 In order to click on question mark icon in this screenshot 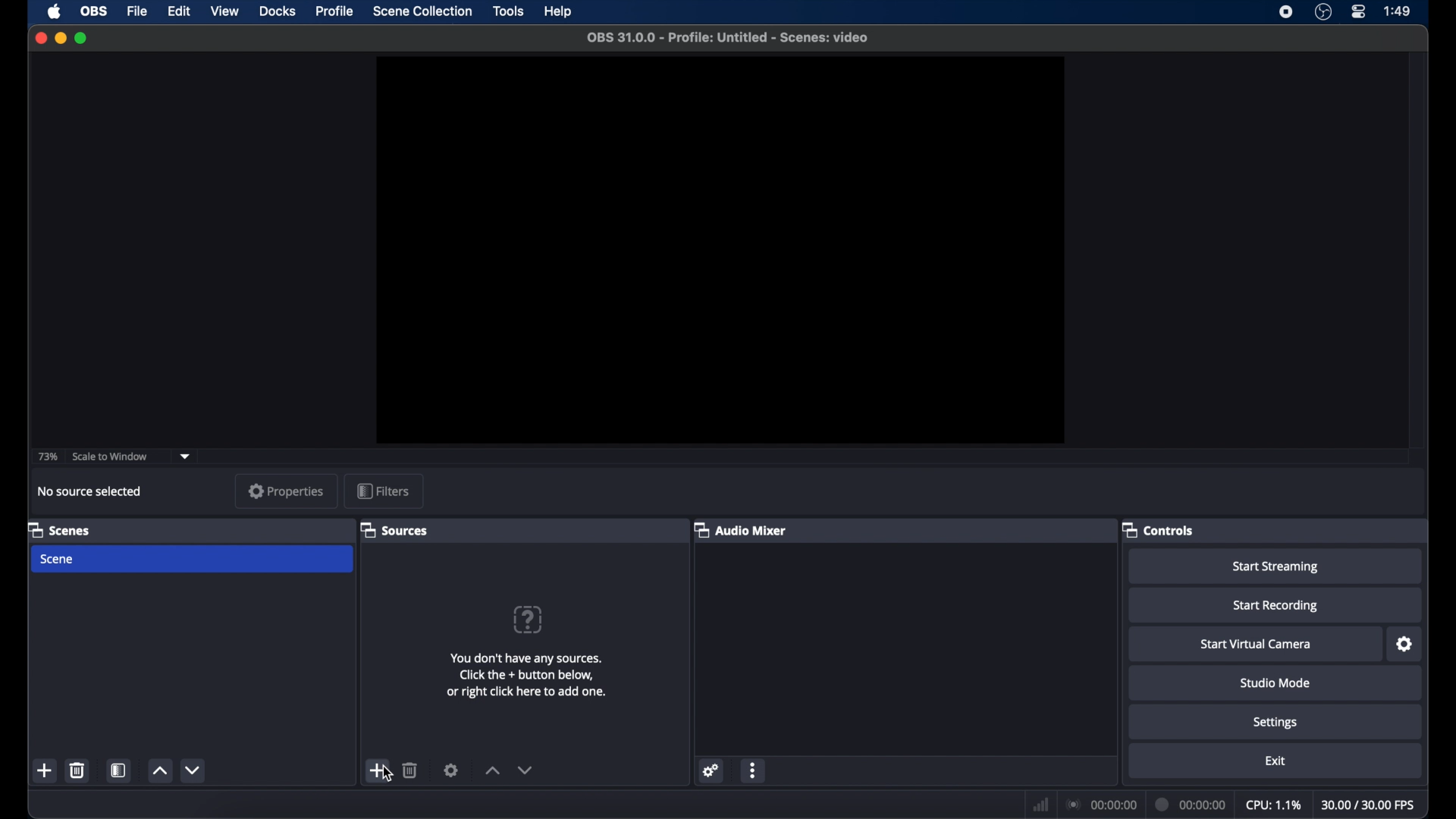, I will do `click(528, 619)`.